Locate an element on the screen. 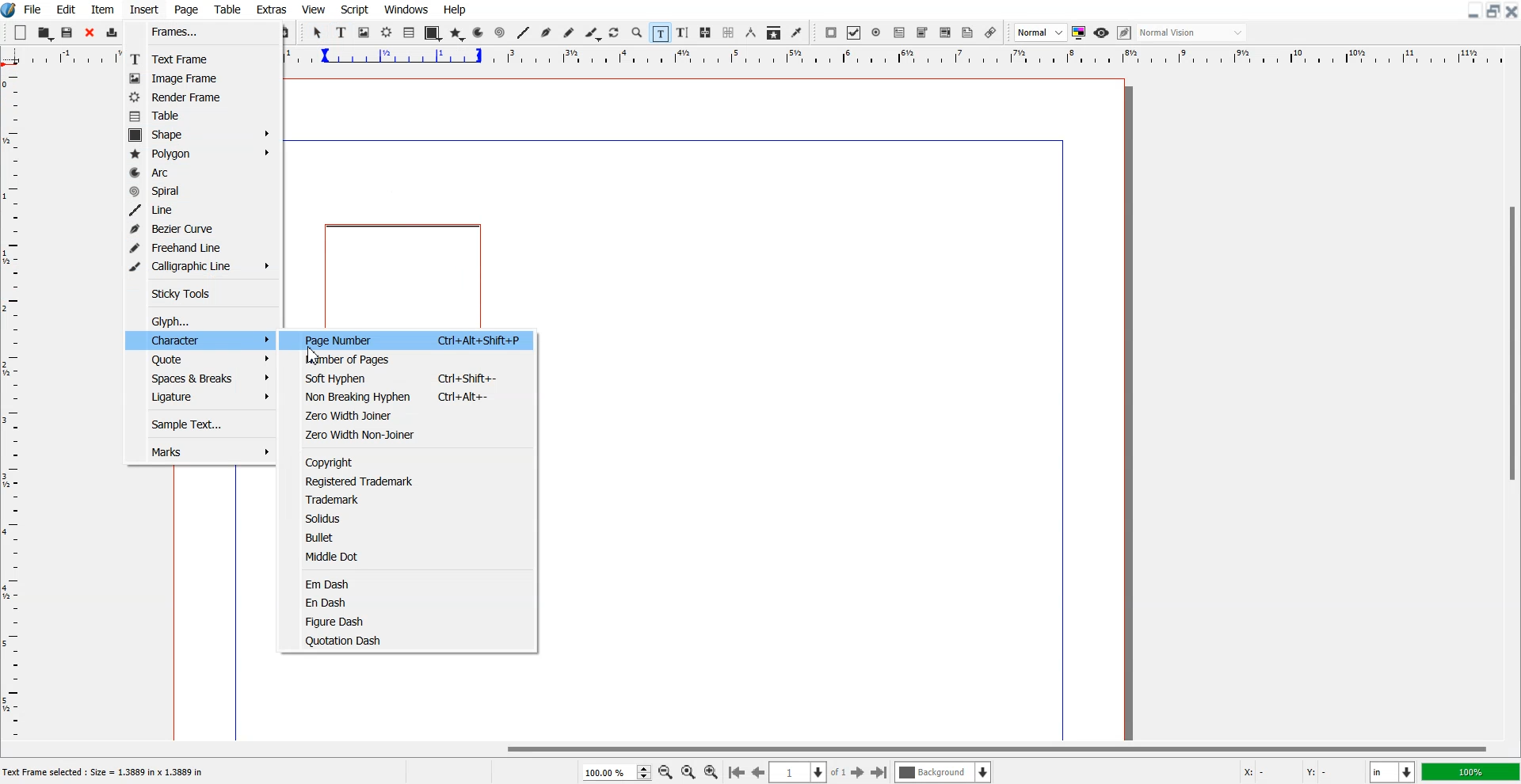 This screenshot has width=1521, height=784. Link Annotation is located at coordinates (990, 32).